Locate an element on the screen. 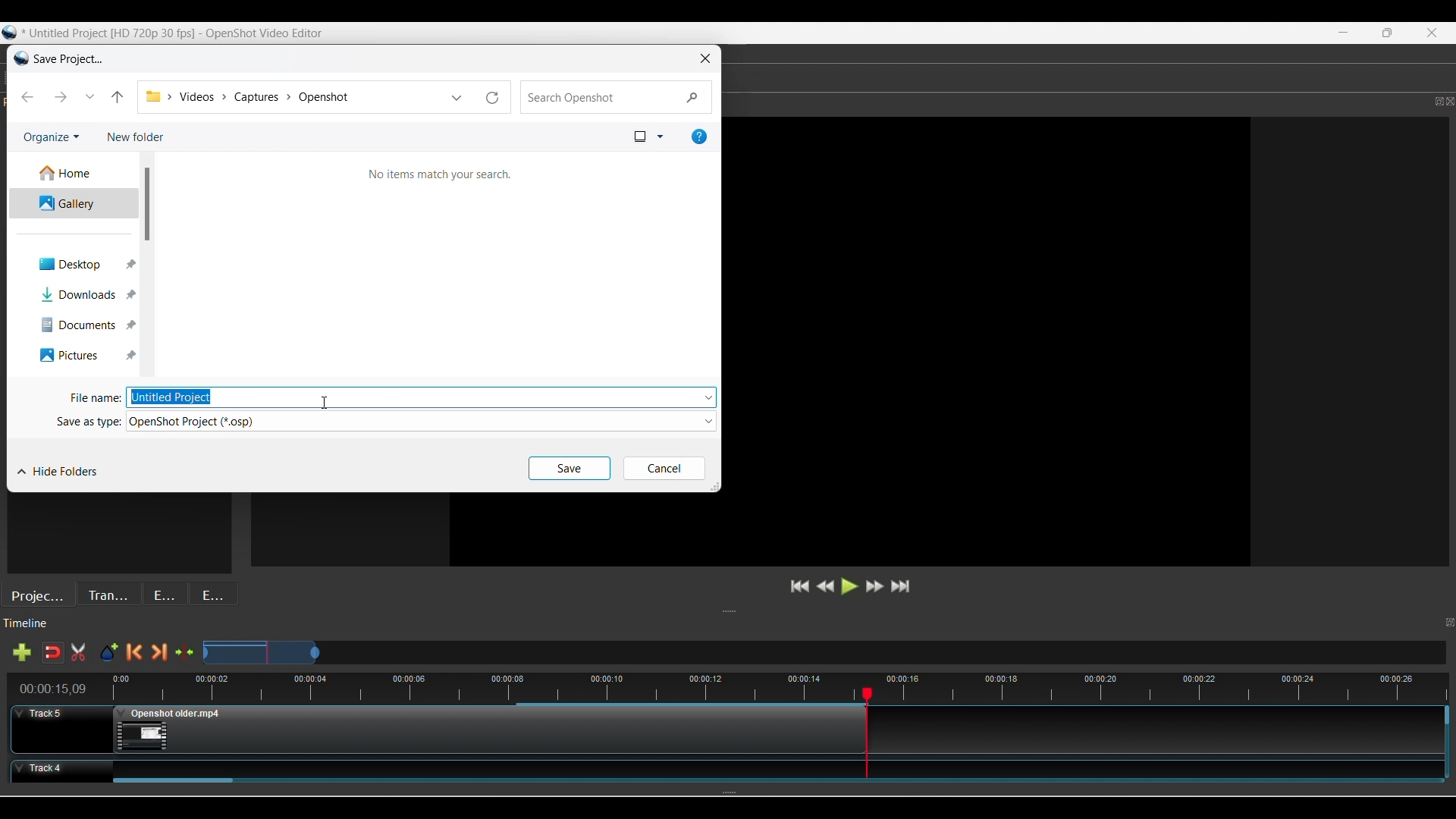  minimize is located at coordinates (1342, 33).